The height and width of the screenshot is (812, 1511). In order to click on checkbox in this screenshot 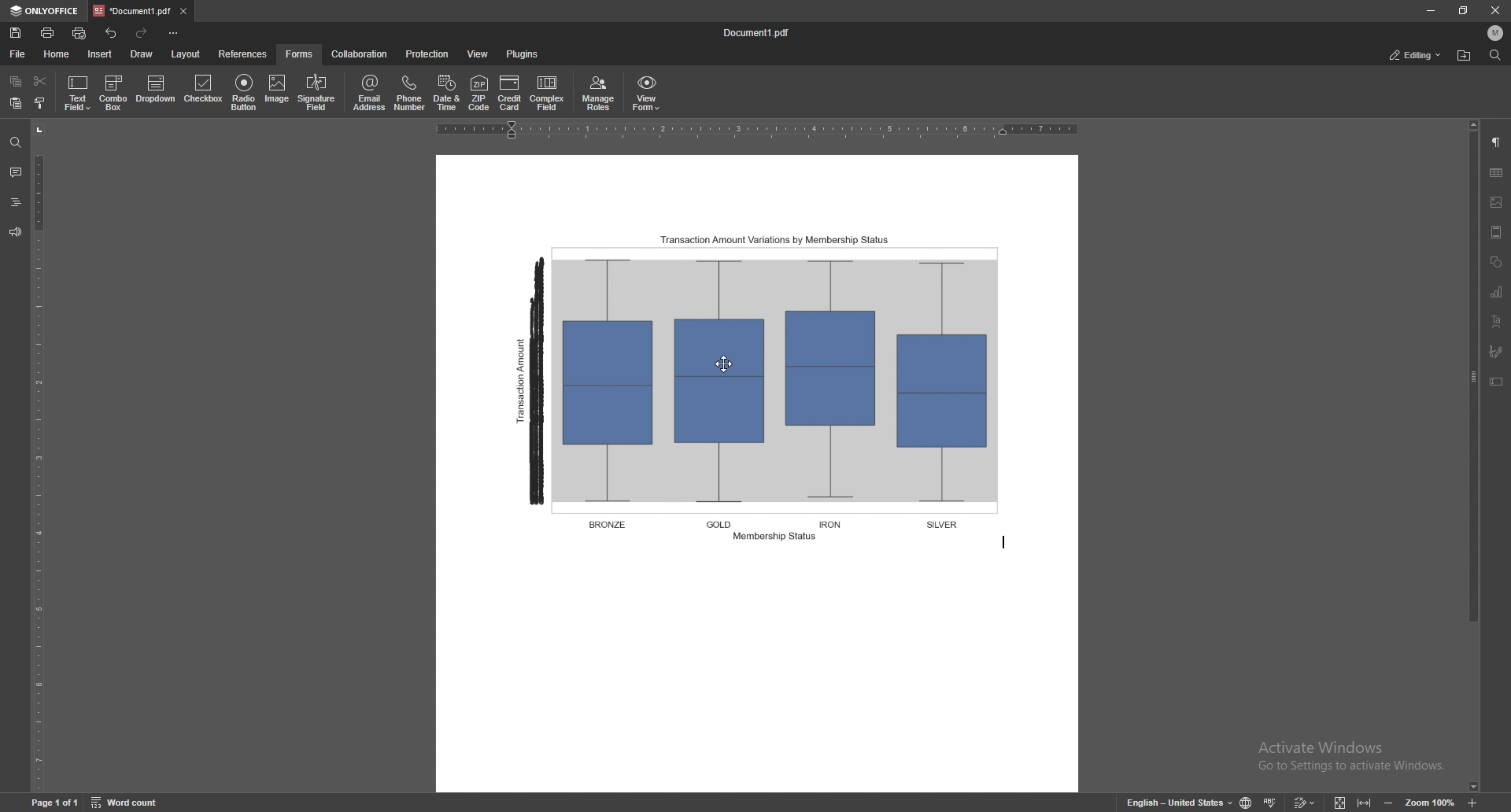, I will do `click(202, 90)`.